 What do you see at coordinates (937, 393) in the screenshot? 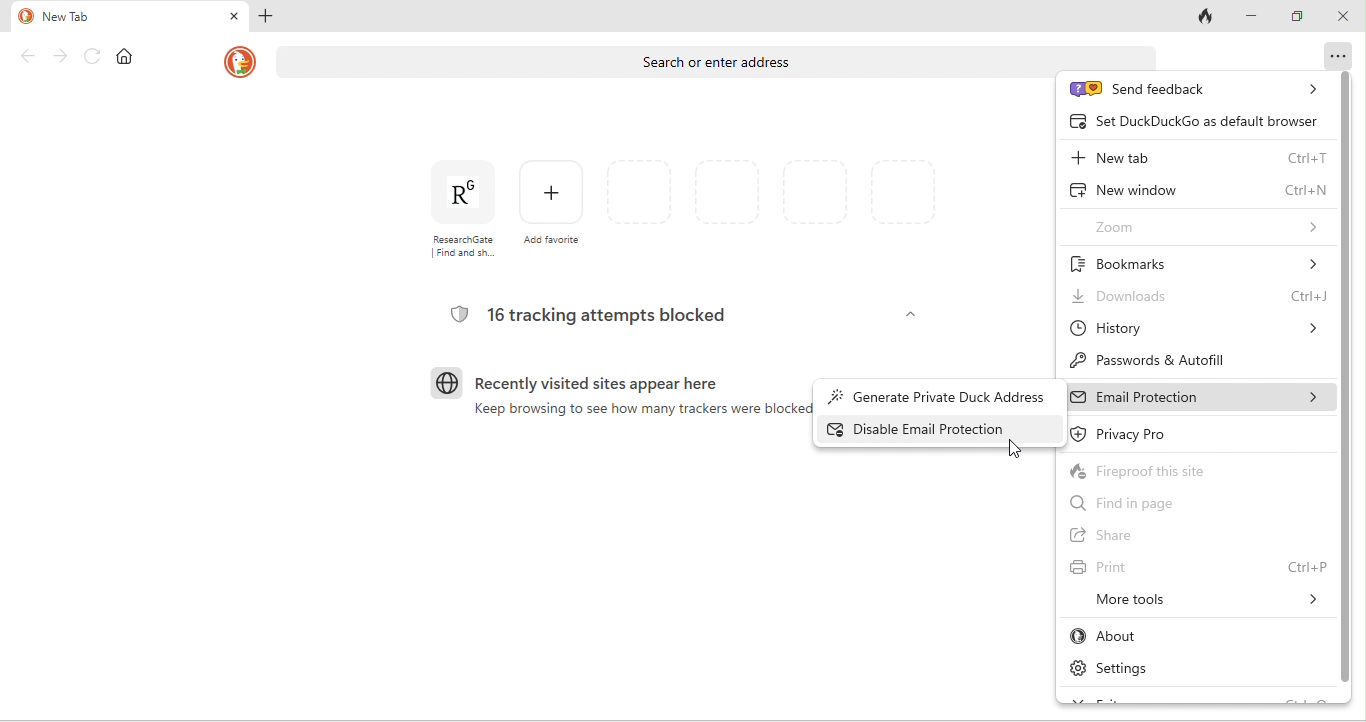
I see `generate private duck address` at bounding box center [937, 393].